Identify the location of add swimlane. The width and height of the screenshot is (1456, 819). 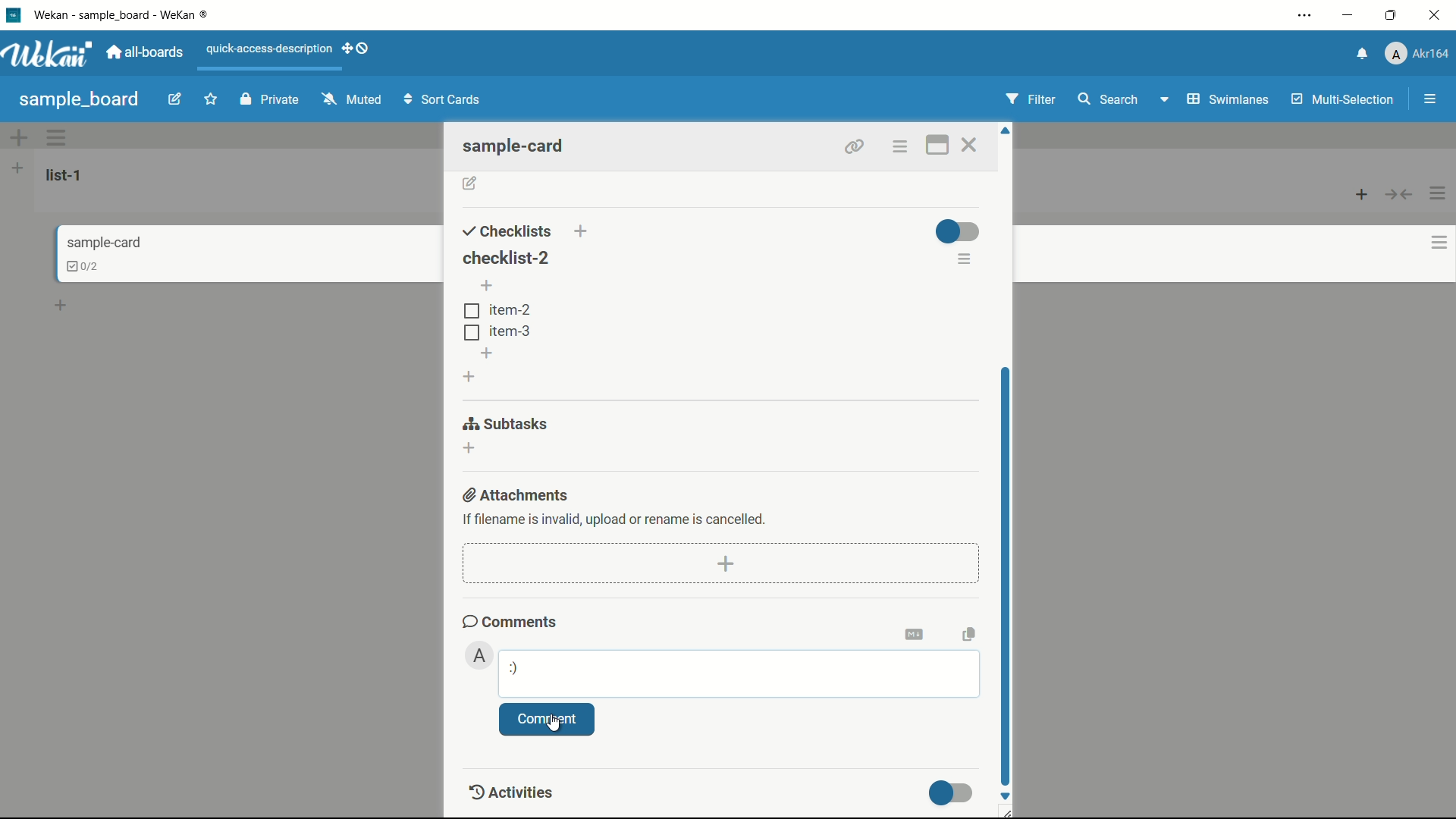
(20, 137).